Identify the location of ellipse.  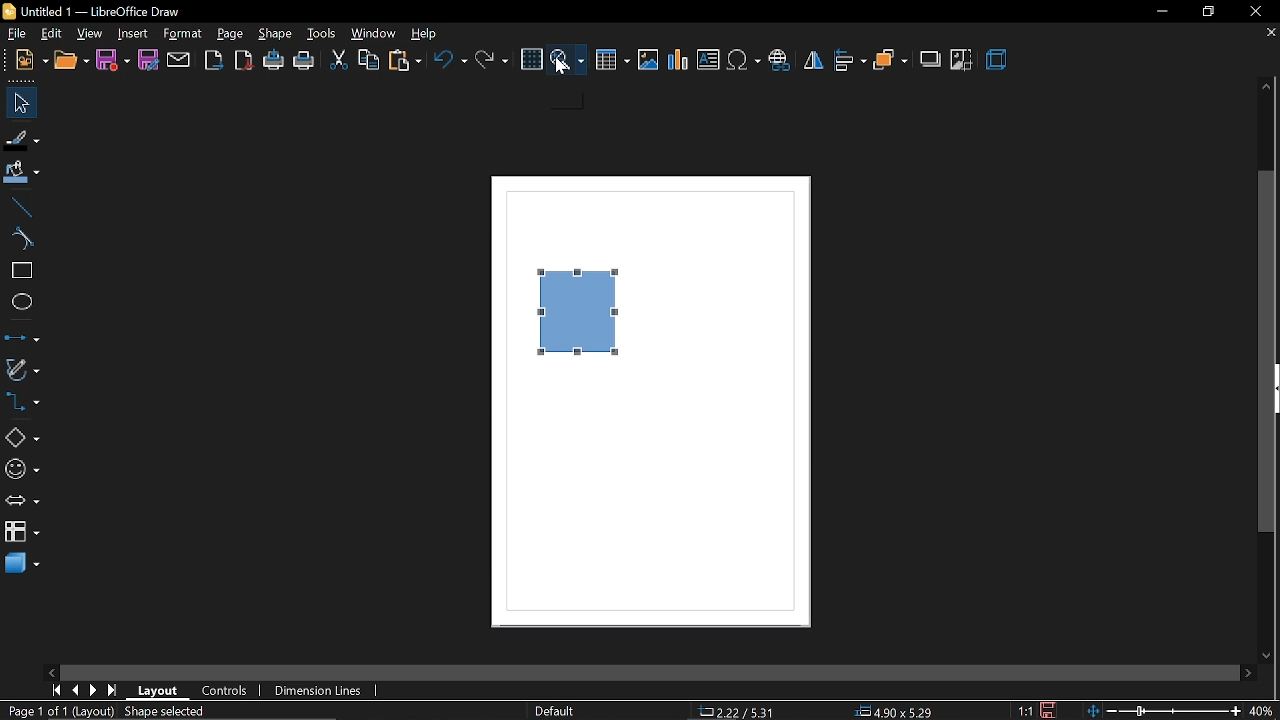
(18, 302).